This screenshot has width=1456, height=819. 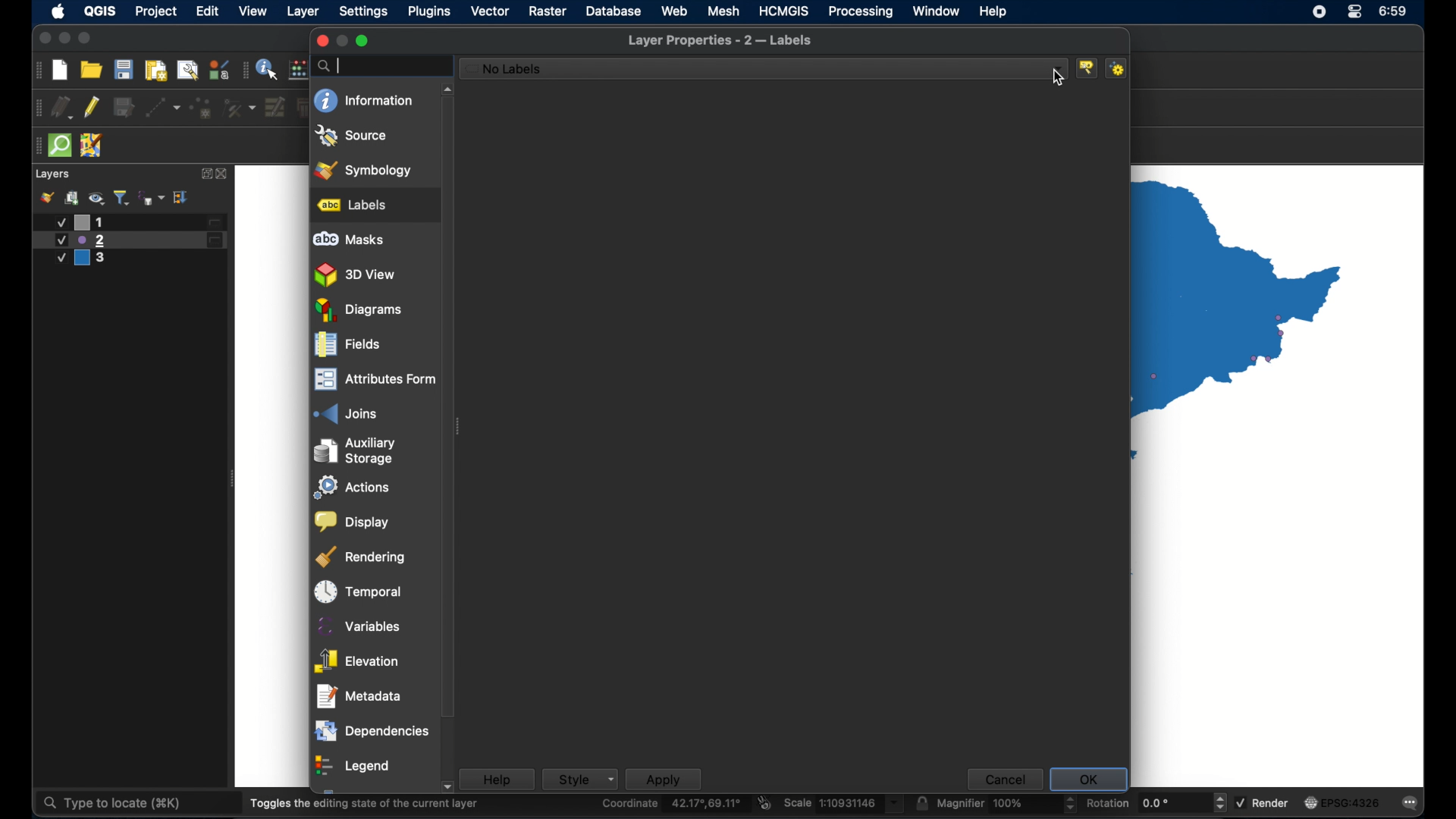 I want to click on symbology, so click(x=365, y=169).